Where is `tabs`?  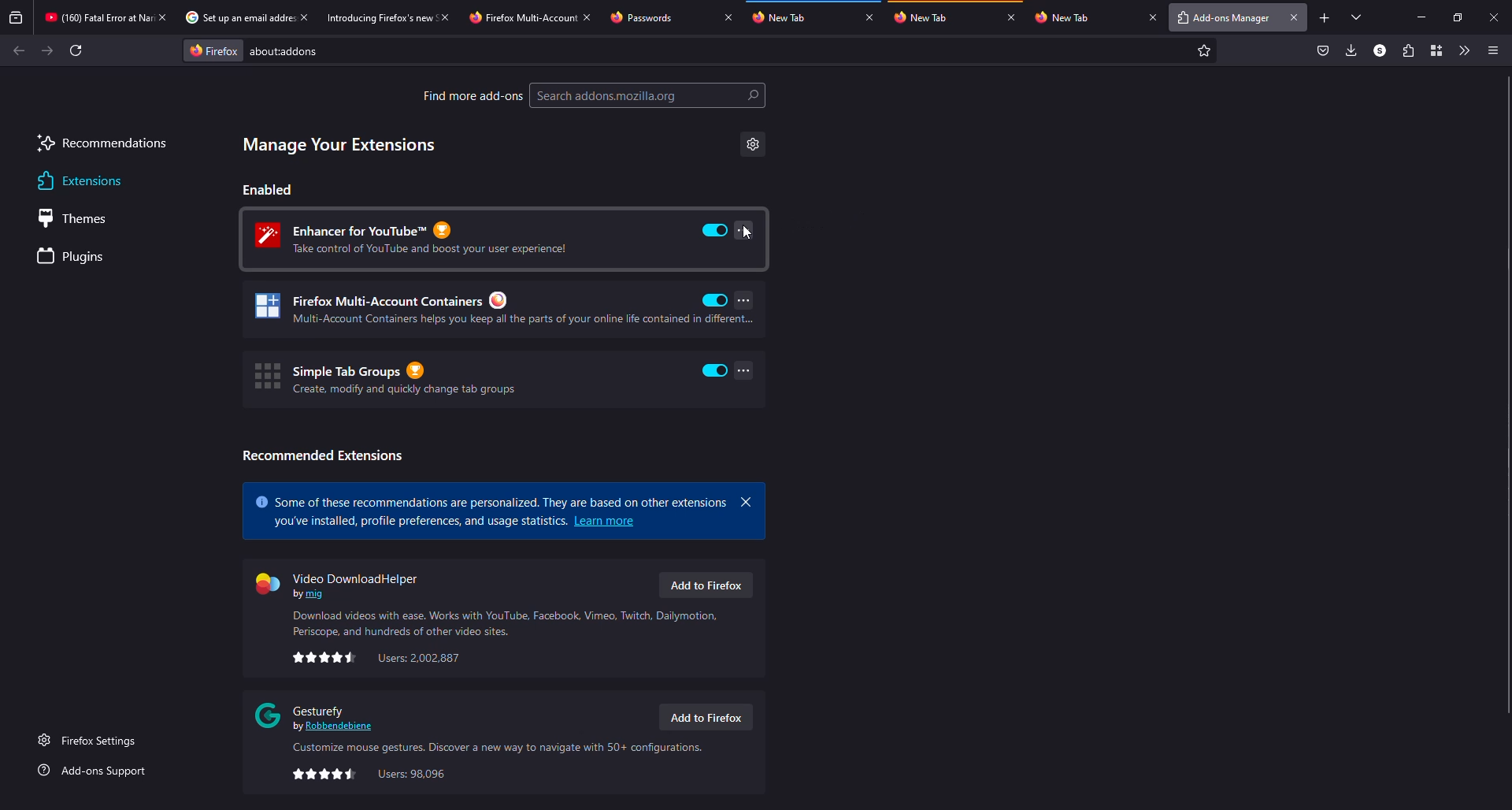 tabs is located at coordinates (1358, 17).